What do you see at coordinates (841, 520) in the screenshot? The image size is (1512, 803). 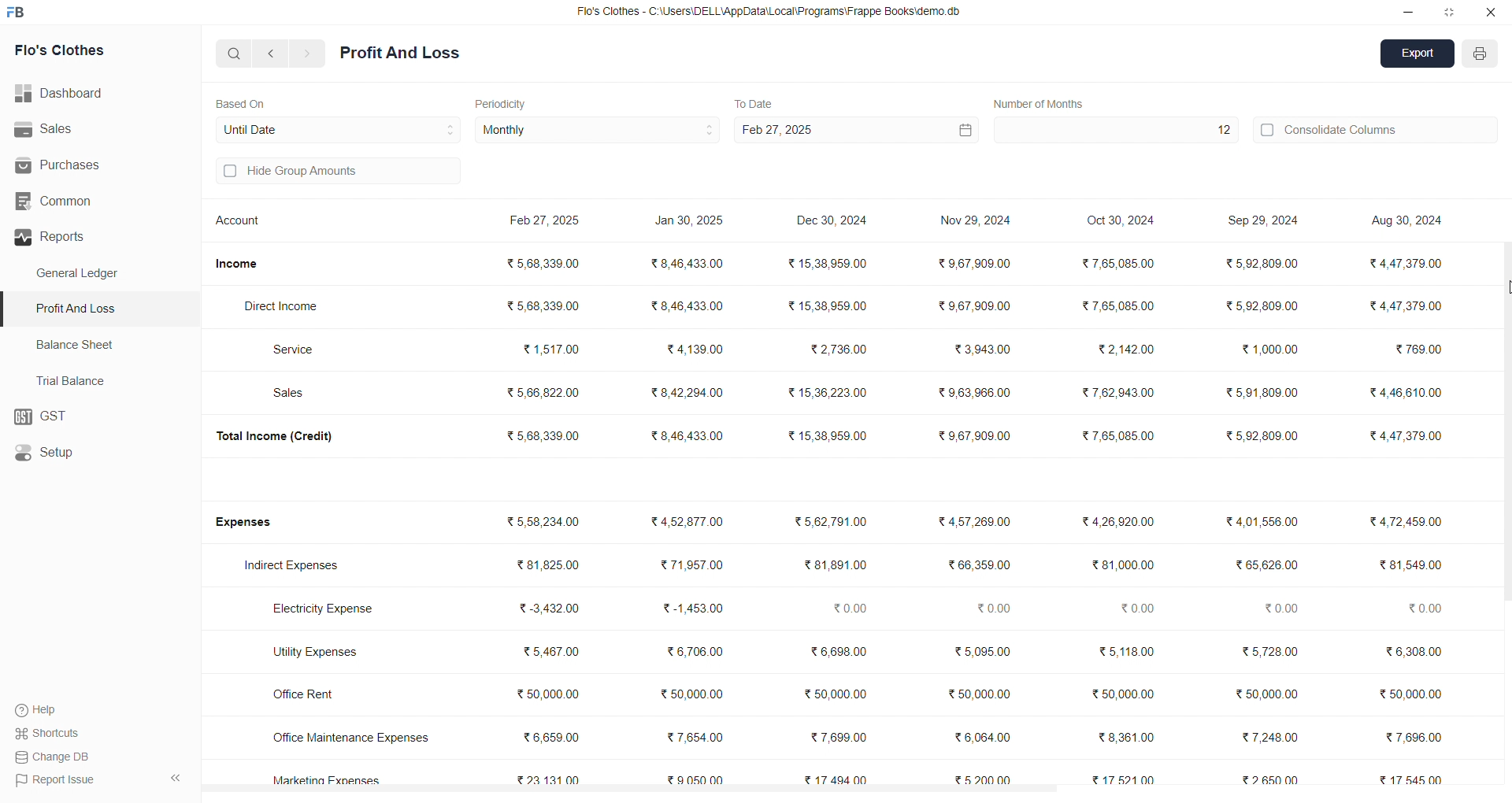 I see `₹5,62,791.00` at bounding box center [841, 520].